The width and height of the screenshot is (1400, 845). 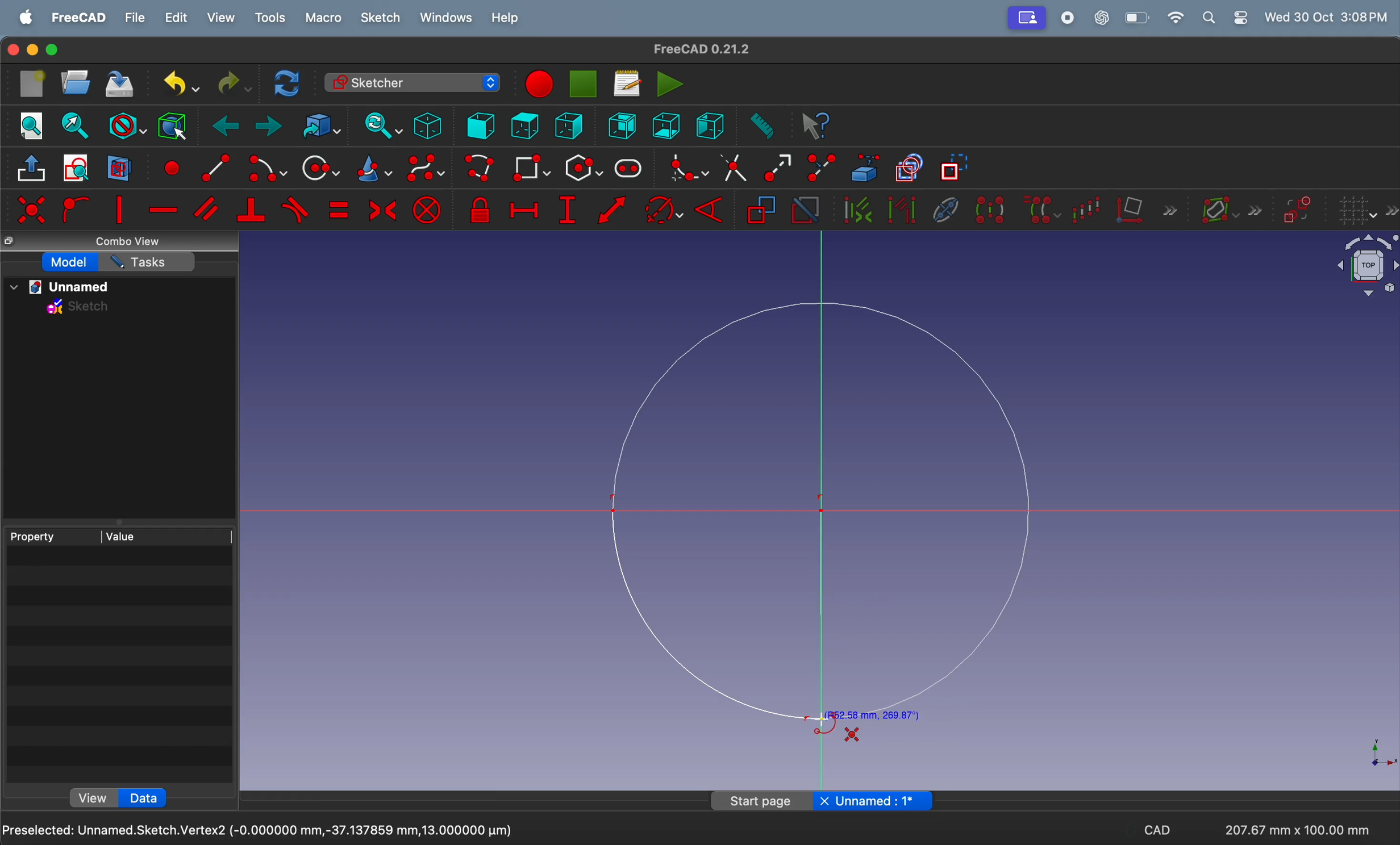 I want to click on front view, so click(x=482, y=125).